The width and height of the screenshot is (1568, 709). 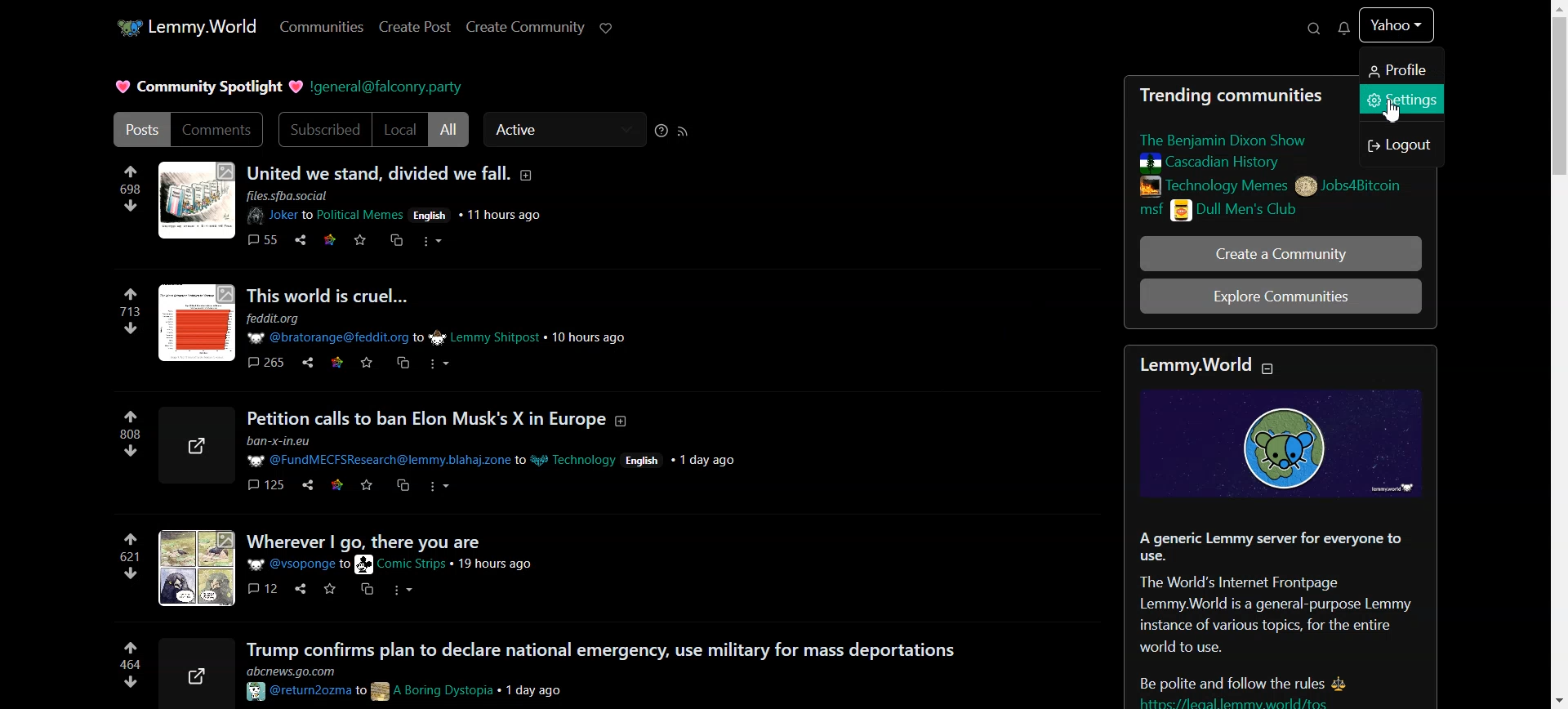 I want to click on options, so click(x=445, y=243).